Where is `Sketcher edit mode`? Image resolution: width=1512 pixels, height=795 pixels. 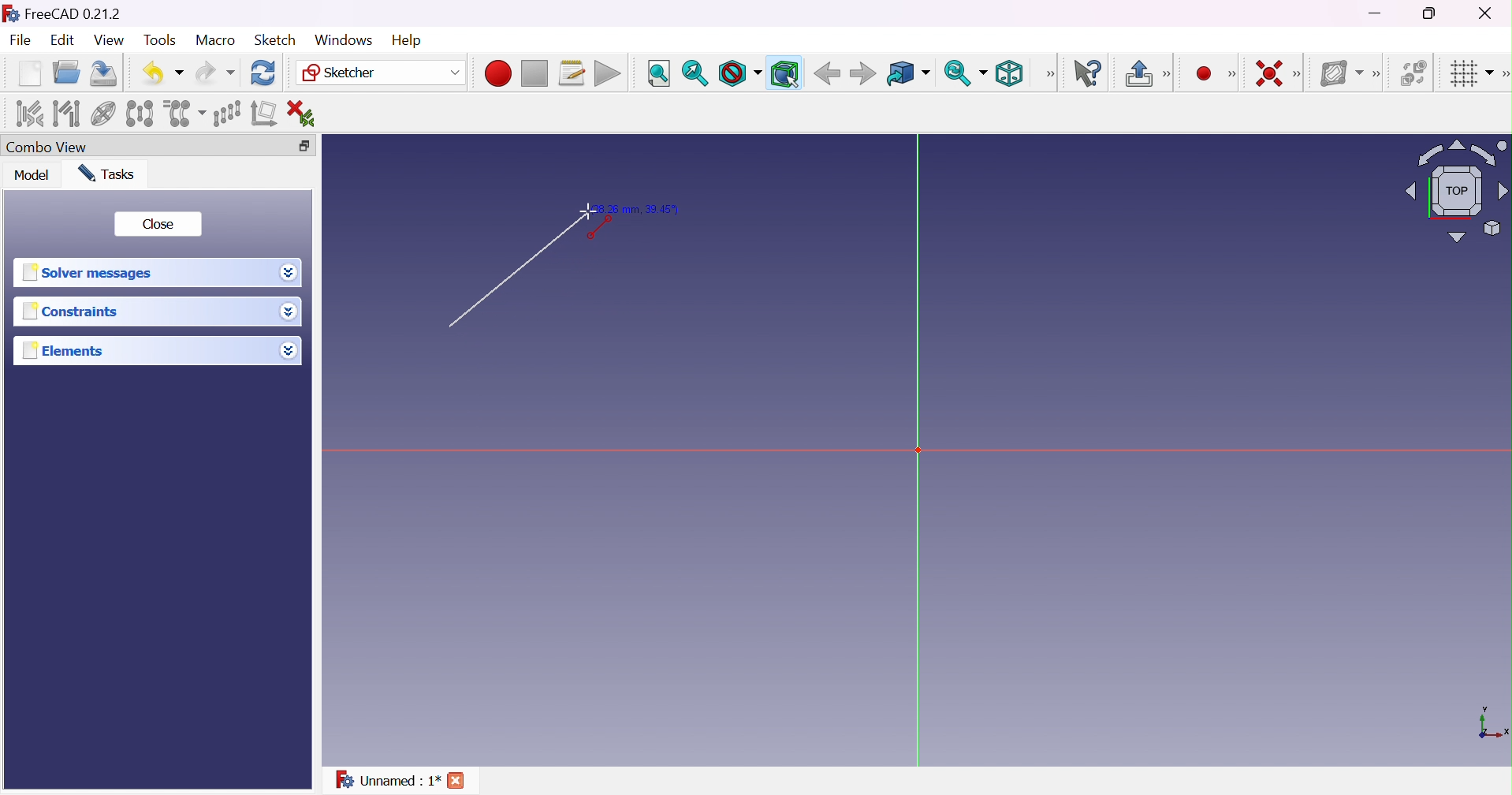
Sketcher edit mode is located at coordinates (1168, 75).